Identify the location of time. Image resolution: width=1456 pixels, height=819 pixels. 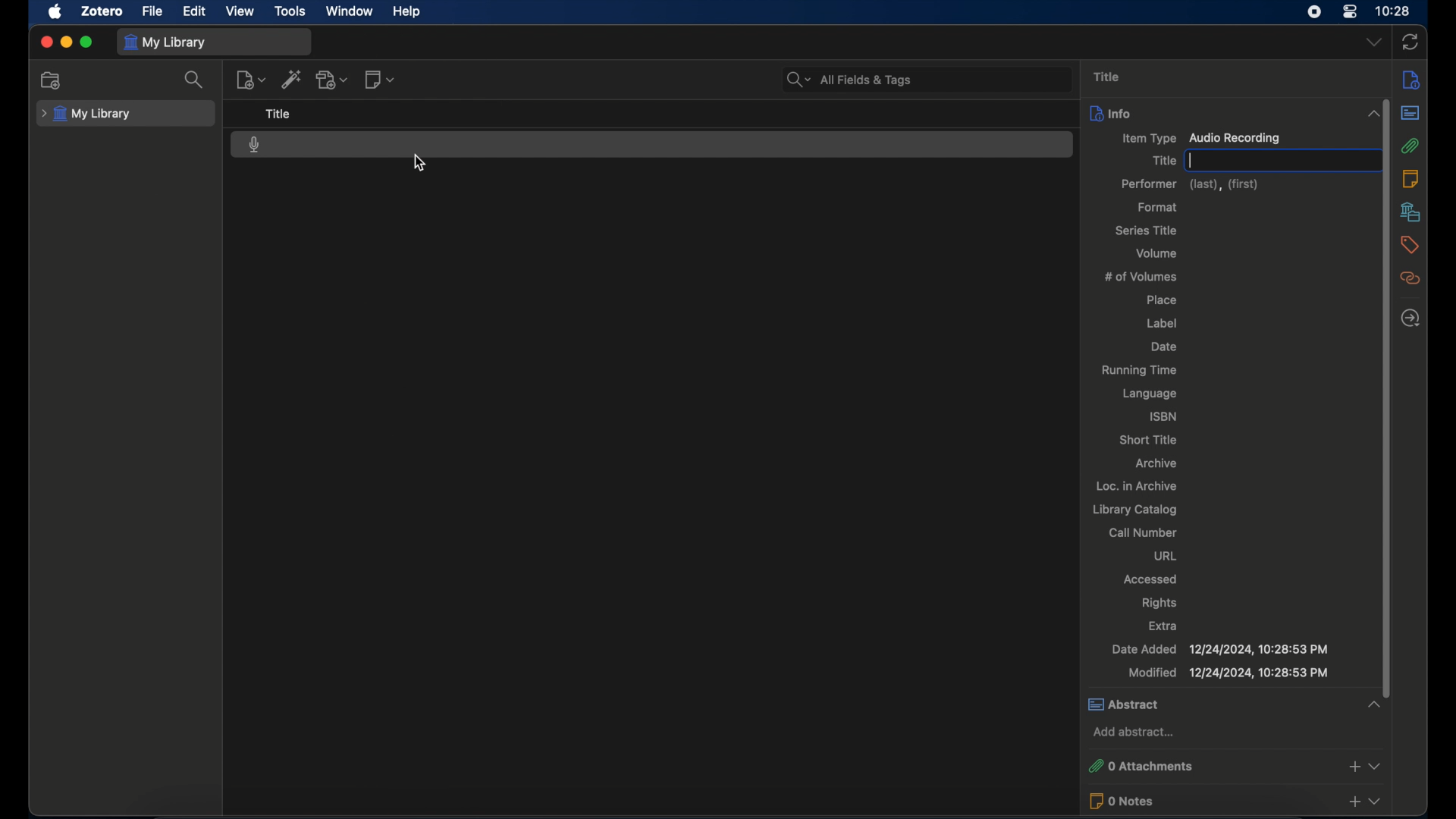
(1393, 10).